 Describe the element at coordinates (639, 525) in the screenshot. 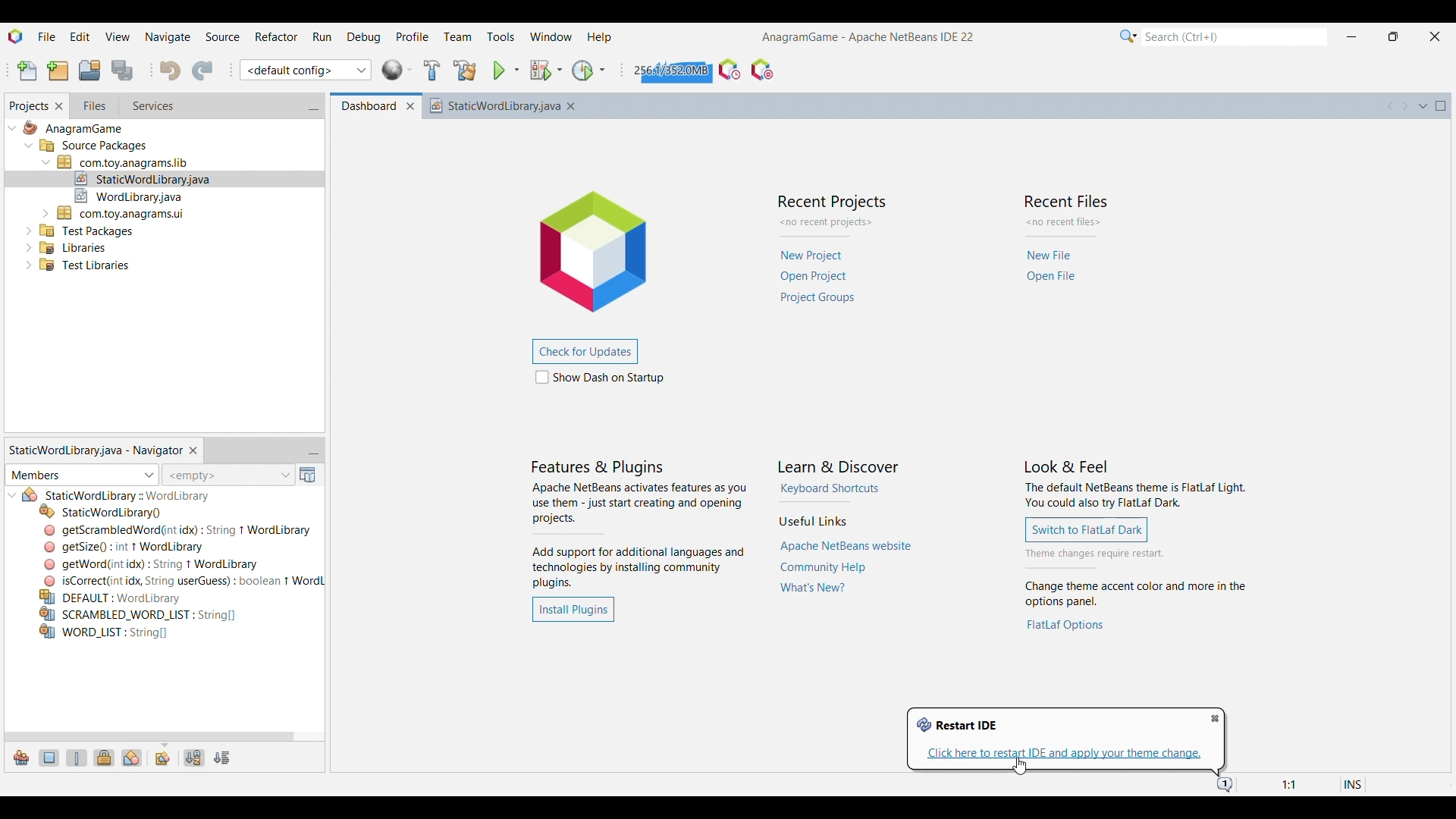

I see `Title and description of Features and Plugins` at that location.